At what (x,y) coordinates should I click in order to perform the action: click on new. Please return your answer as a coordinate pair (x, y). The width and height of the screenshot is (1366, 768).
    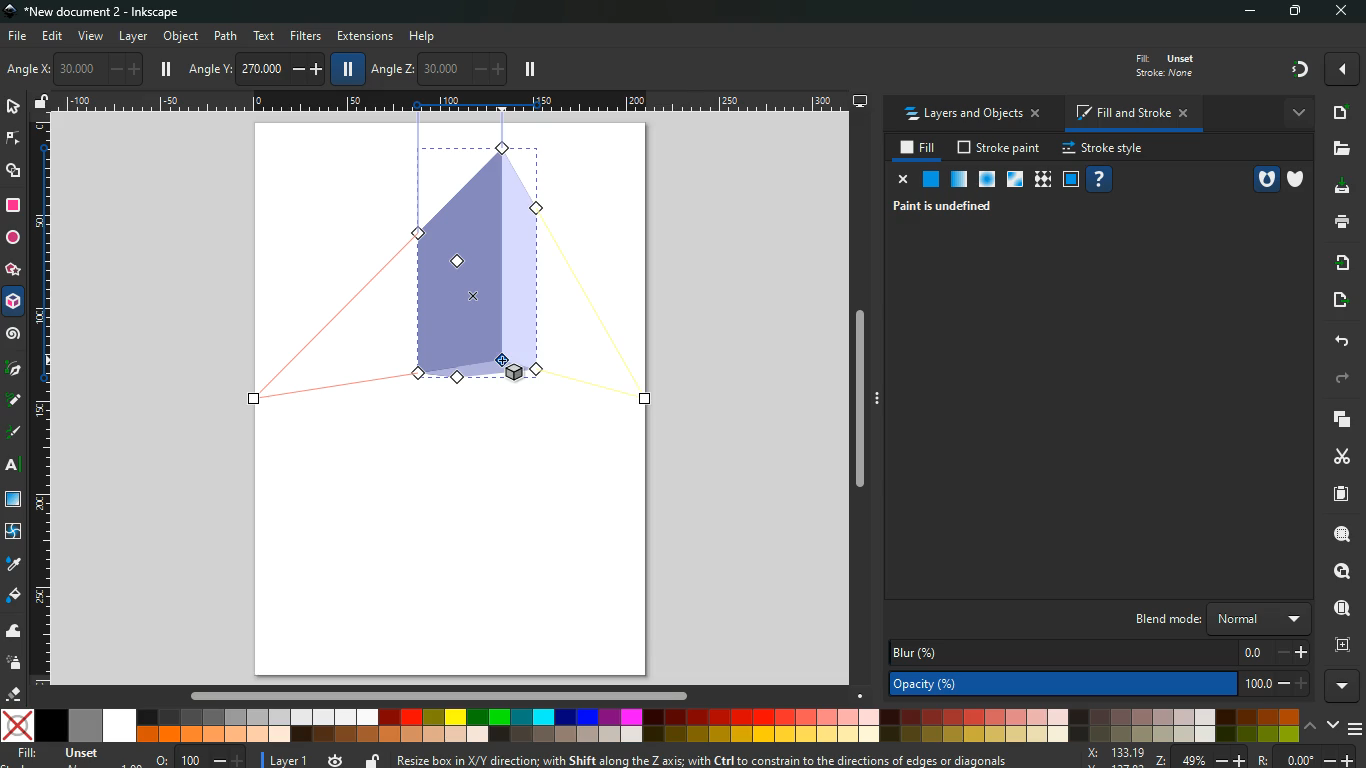
    Looking at the image, I should click on (1338, 113).